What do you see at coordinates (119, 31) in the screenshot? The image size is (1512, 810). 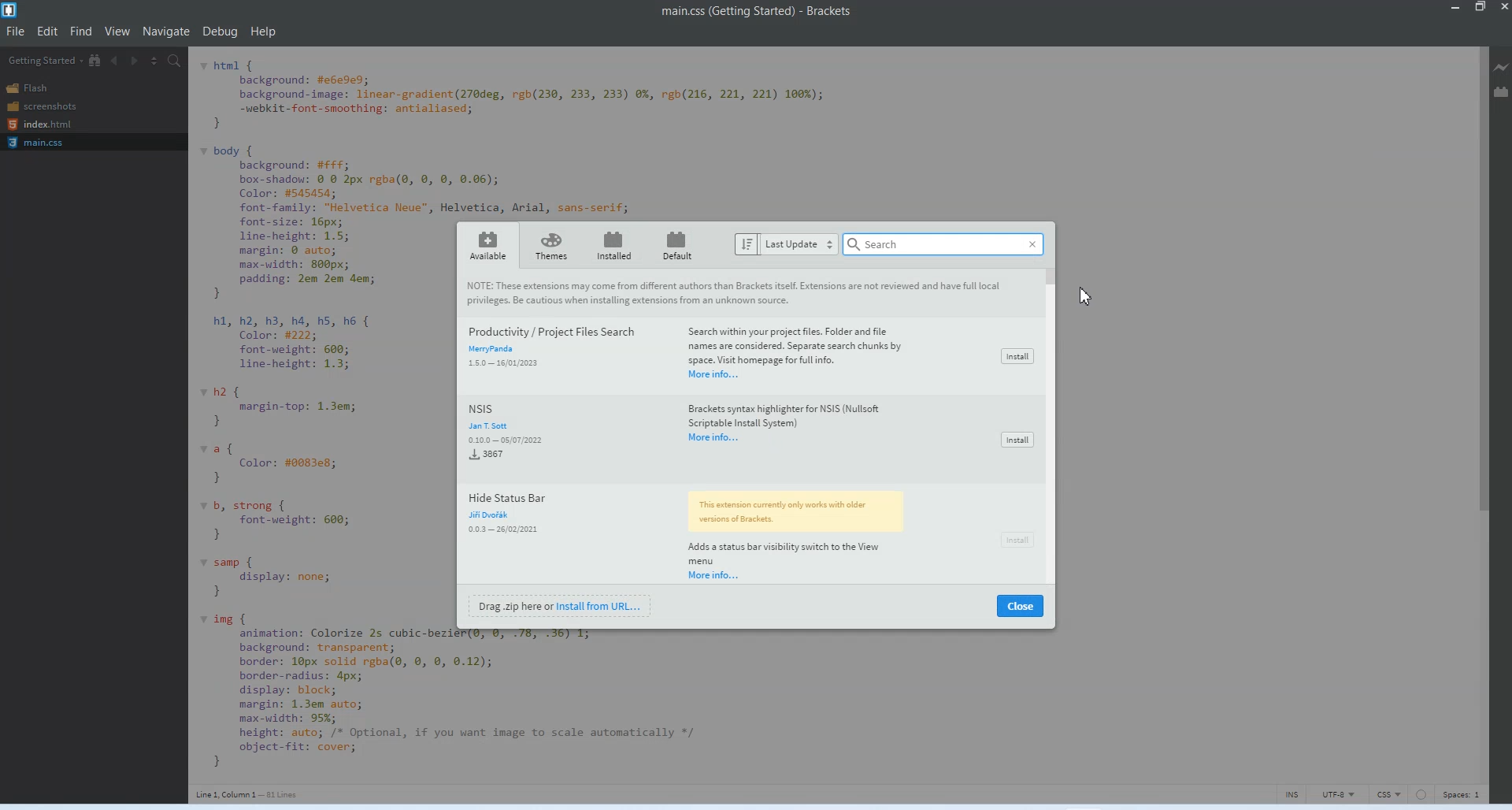 I see `View` at bounding box center [119, 31].